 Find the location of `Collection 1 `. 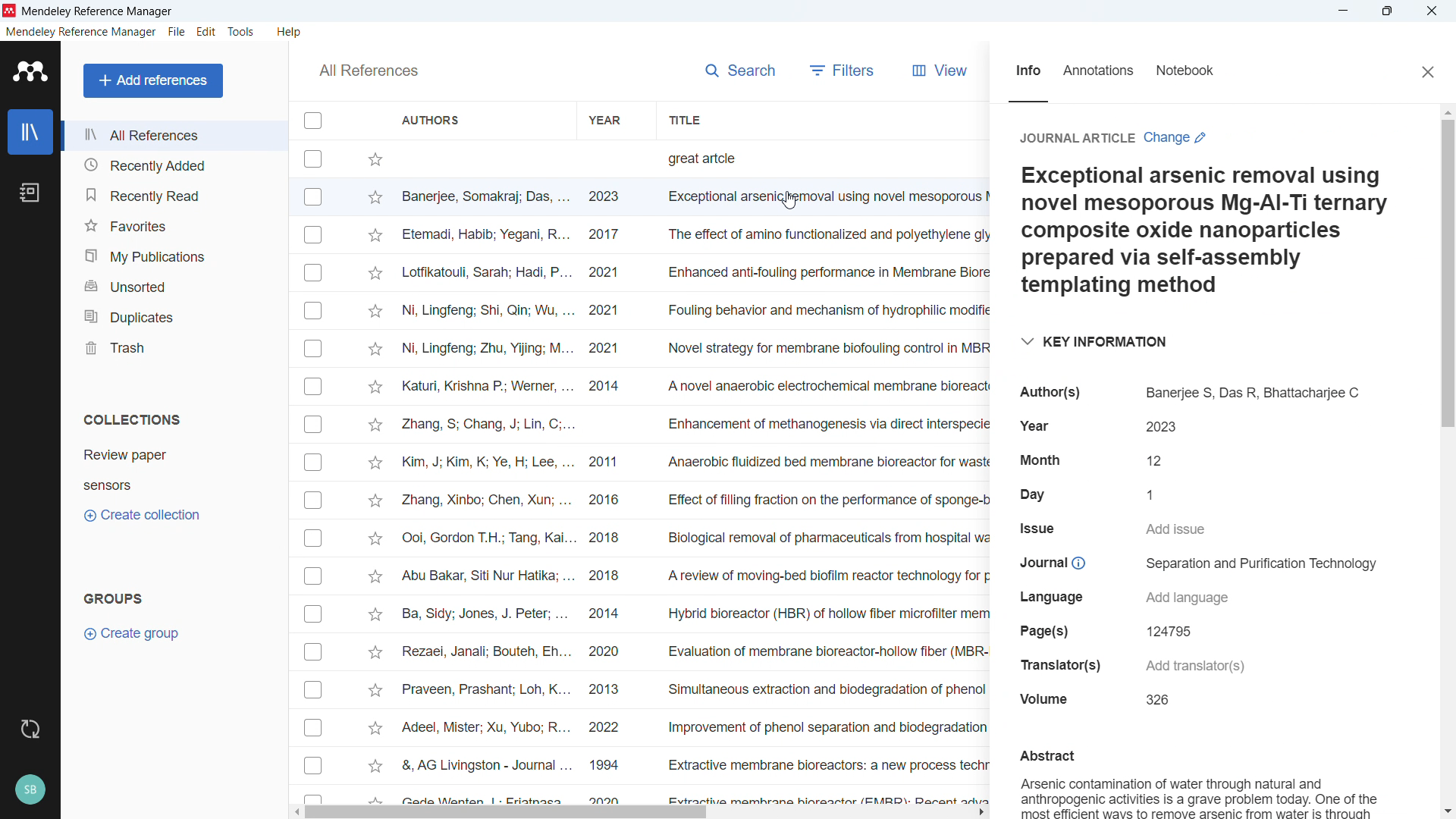

Collection 1  is located at coordinates (125, 454).